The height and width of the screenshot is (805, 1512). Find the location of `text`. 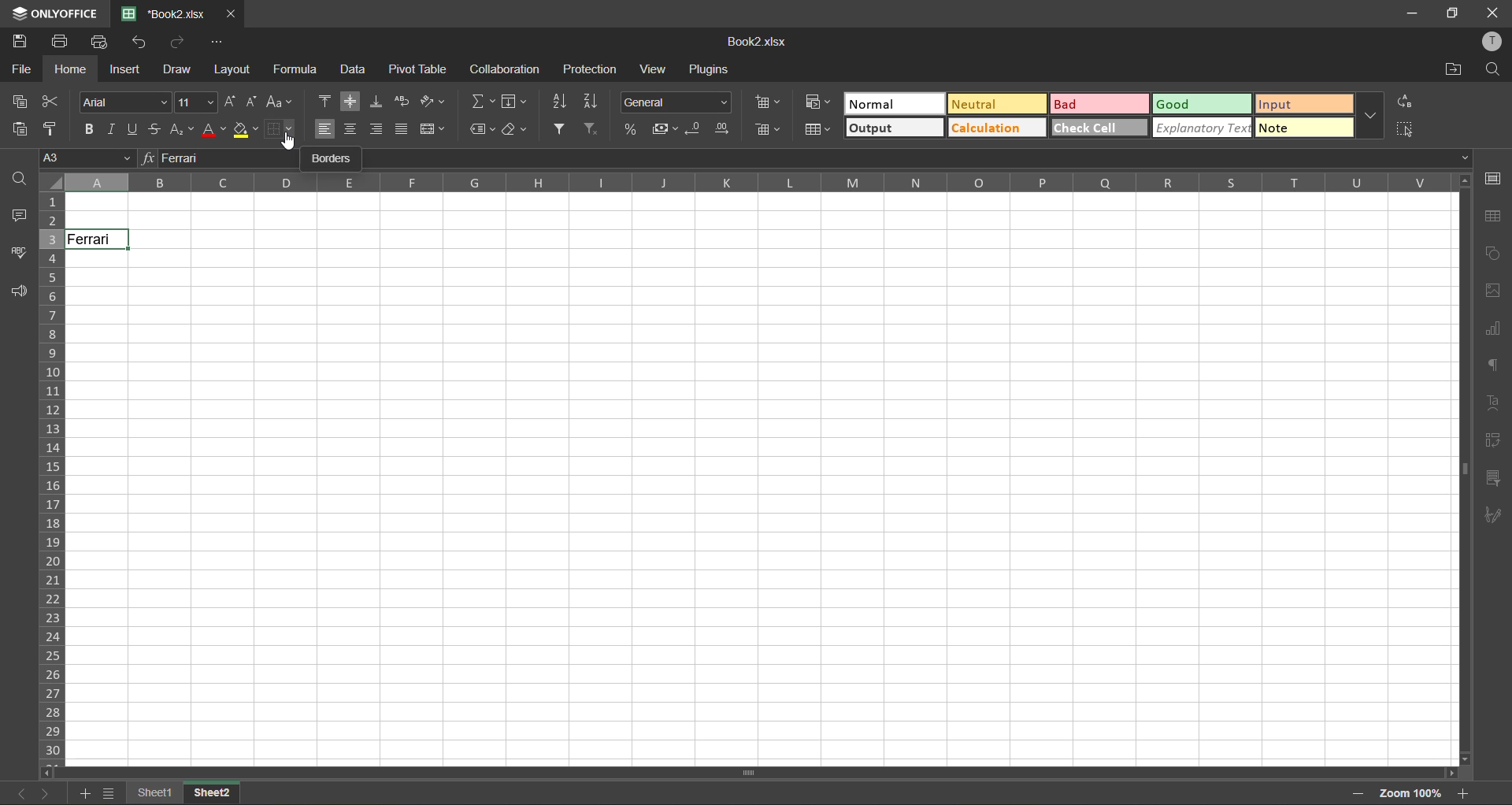

text is located at coordinates (1489, 401).